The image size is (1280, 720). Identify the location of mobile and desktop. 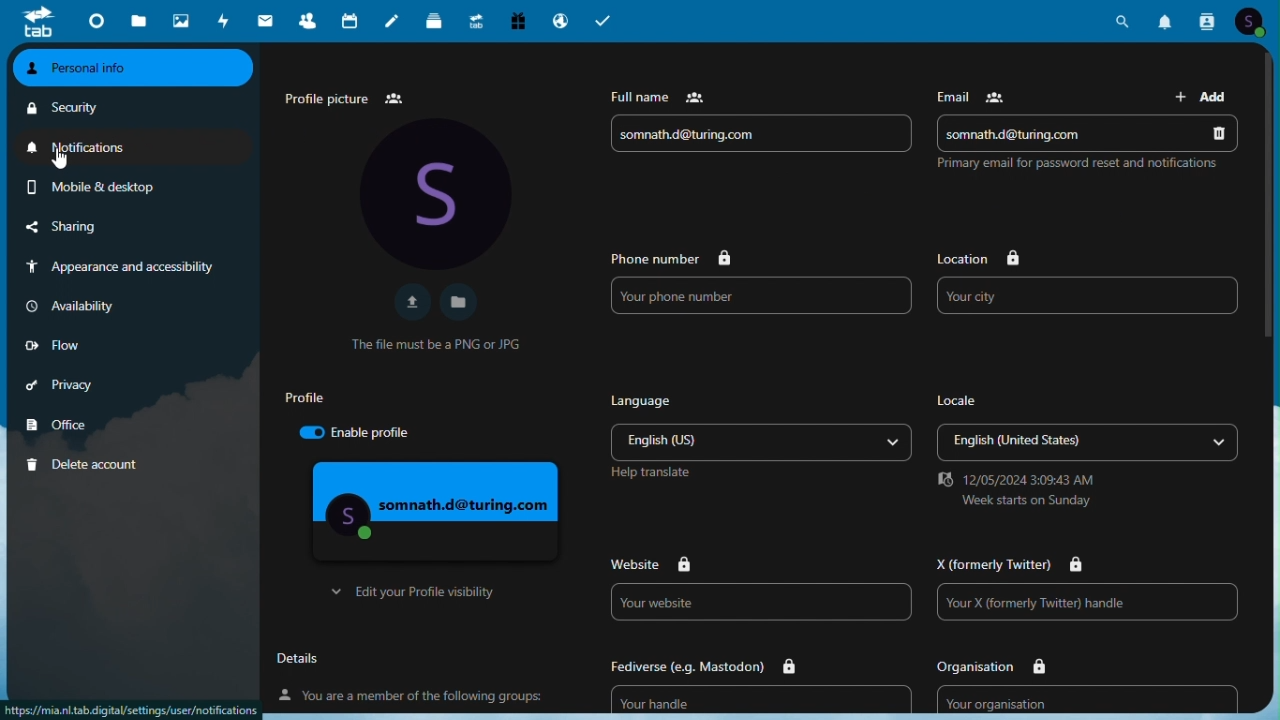
(116, 187).